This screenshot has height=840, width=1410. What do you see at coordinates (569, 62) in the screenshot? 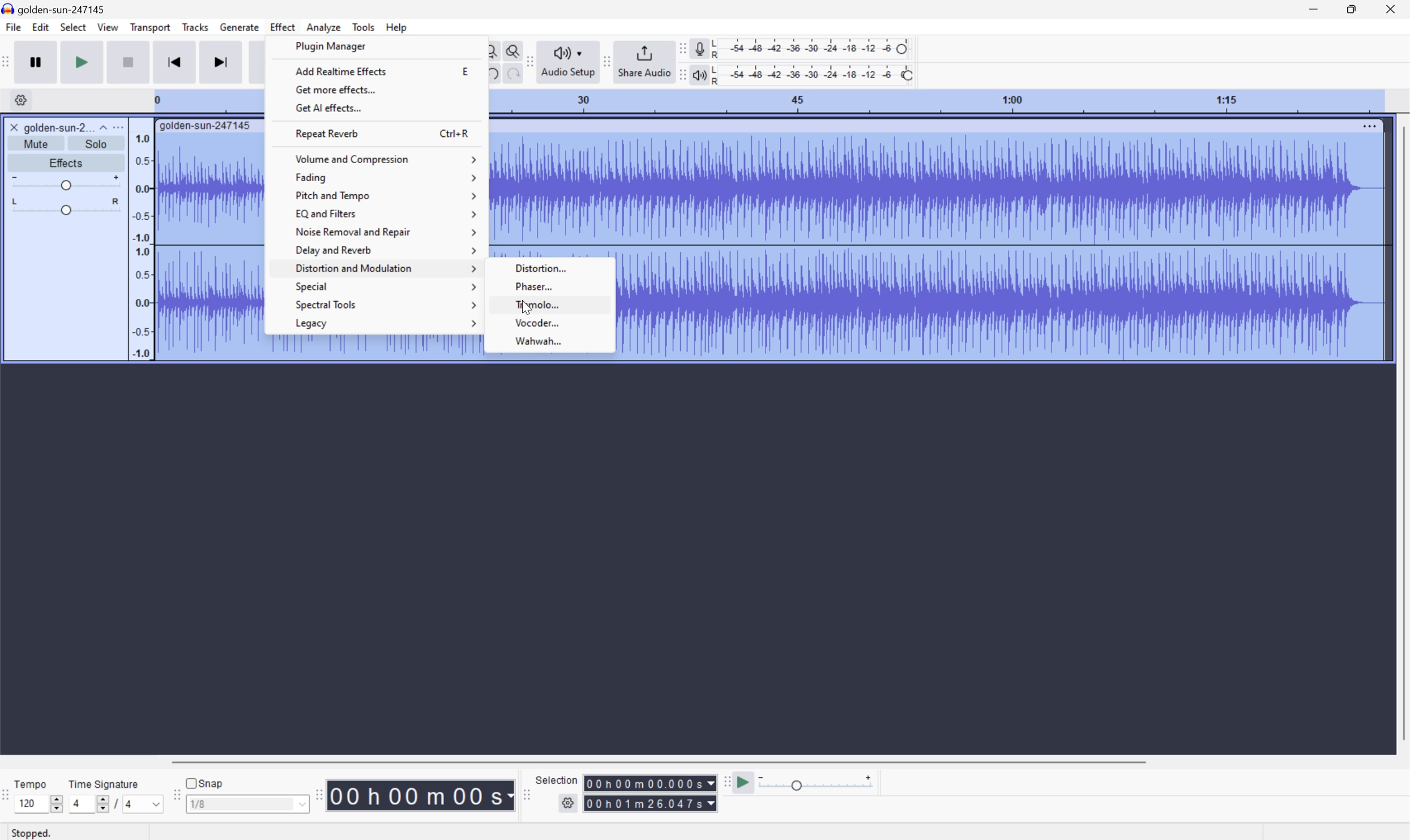
I see `Audio setup` at bounding box center [569, 62].